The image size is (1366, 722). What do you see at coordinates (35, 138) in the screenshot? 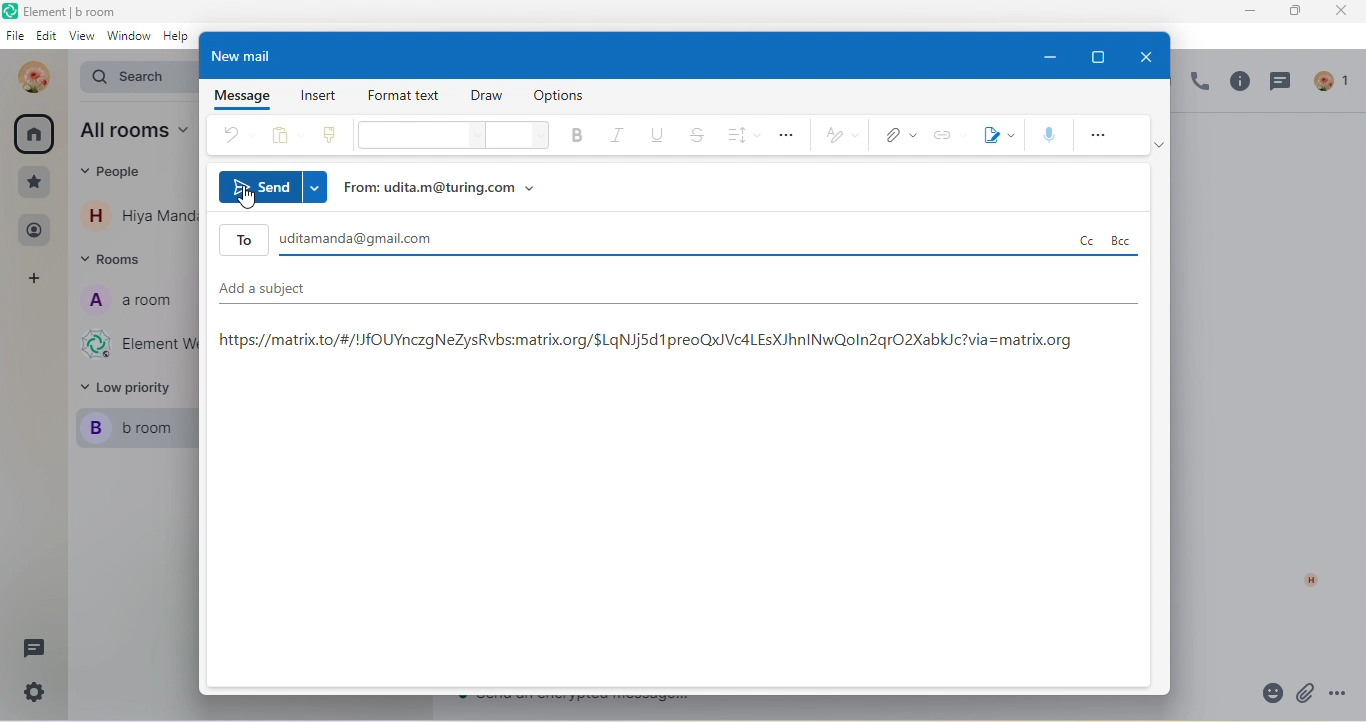
I see `all room` at bounding box center [35, 138].